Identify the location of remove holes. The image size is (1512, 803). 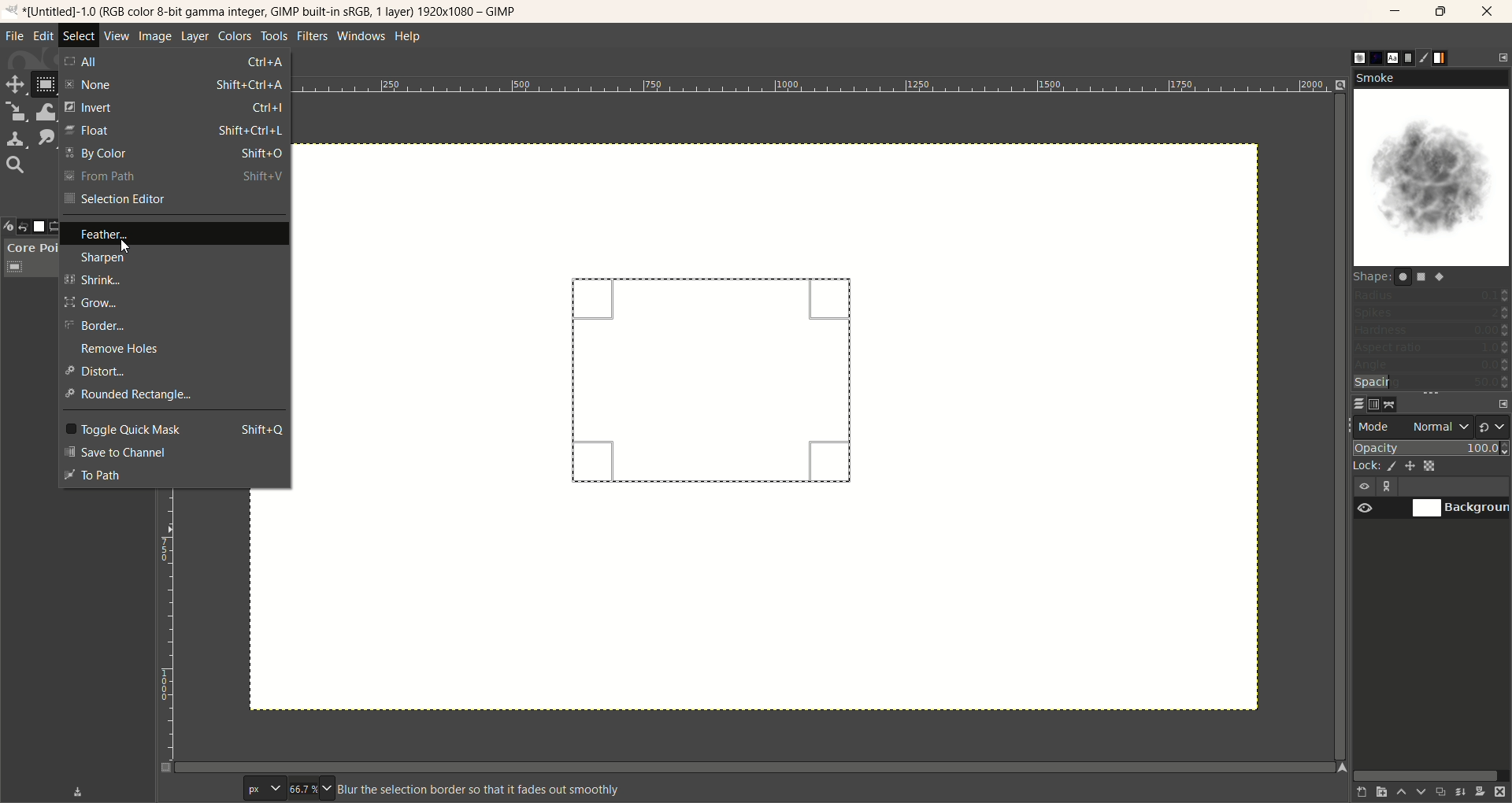
(182, 351).